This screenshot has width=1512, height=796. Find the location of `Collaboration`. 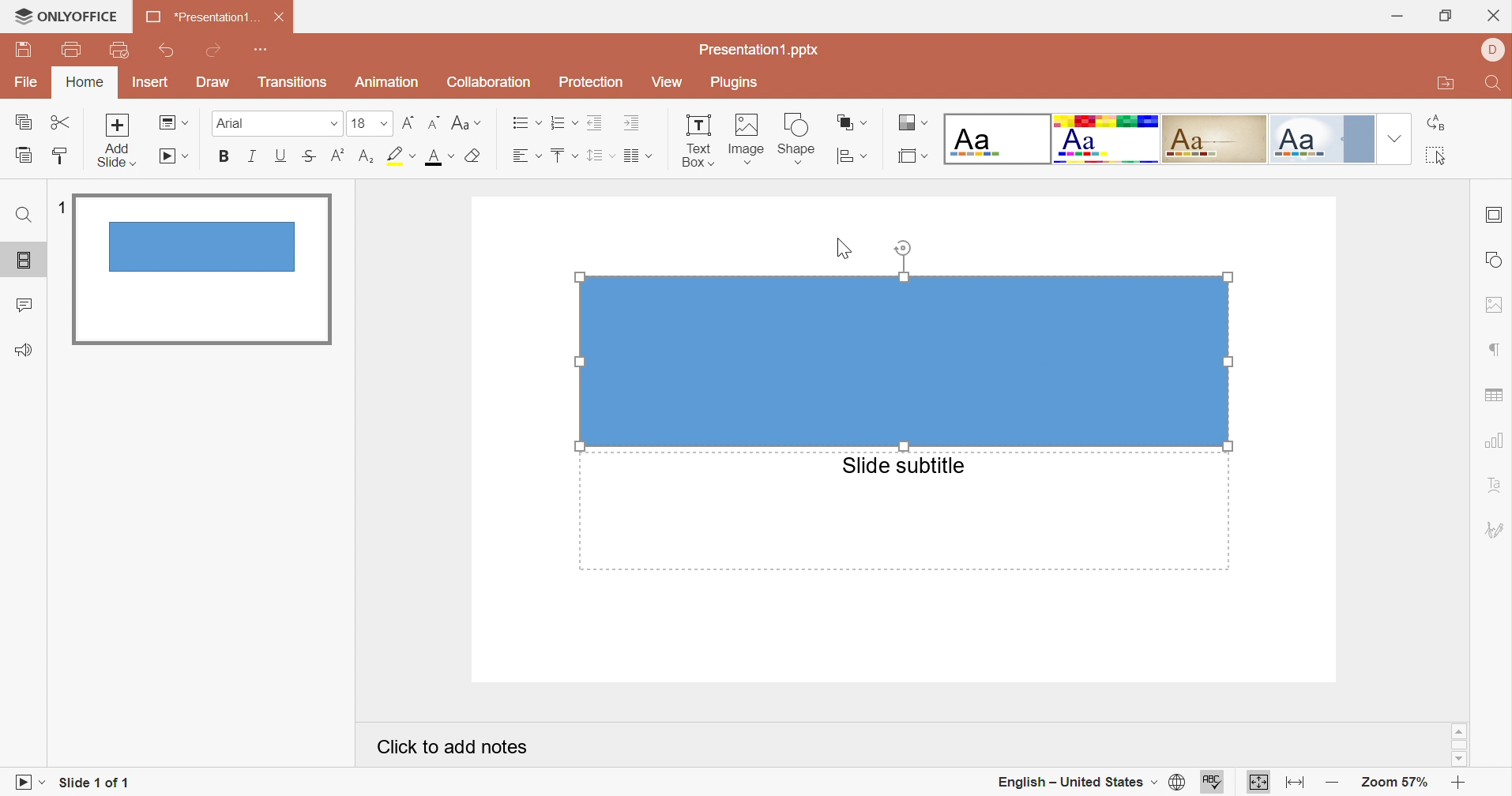

Collaboration is located at coordinates (486, 83).